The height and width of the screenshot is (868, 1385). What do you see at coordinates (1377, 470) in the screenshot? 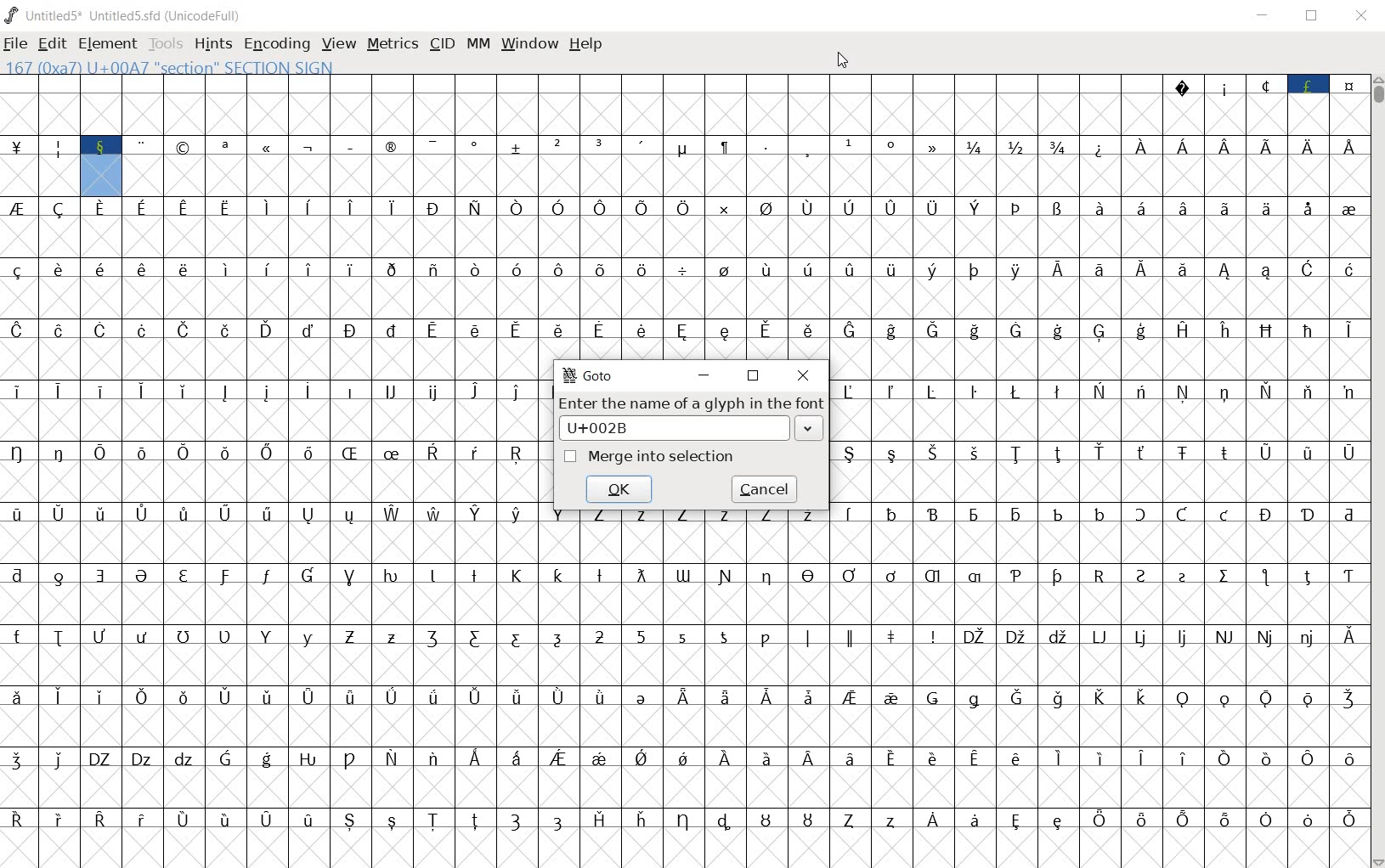
I see `scrollbar` at bounding box center [1377, 470].